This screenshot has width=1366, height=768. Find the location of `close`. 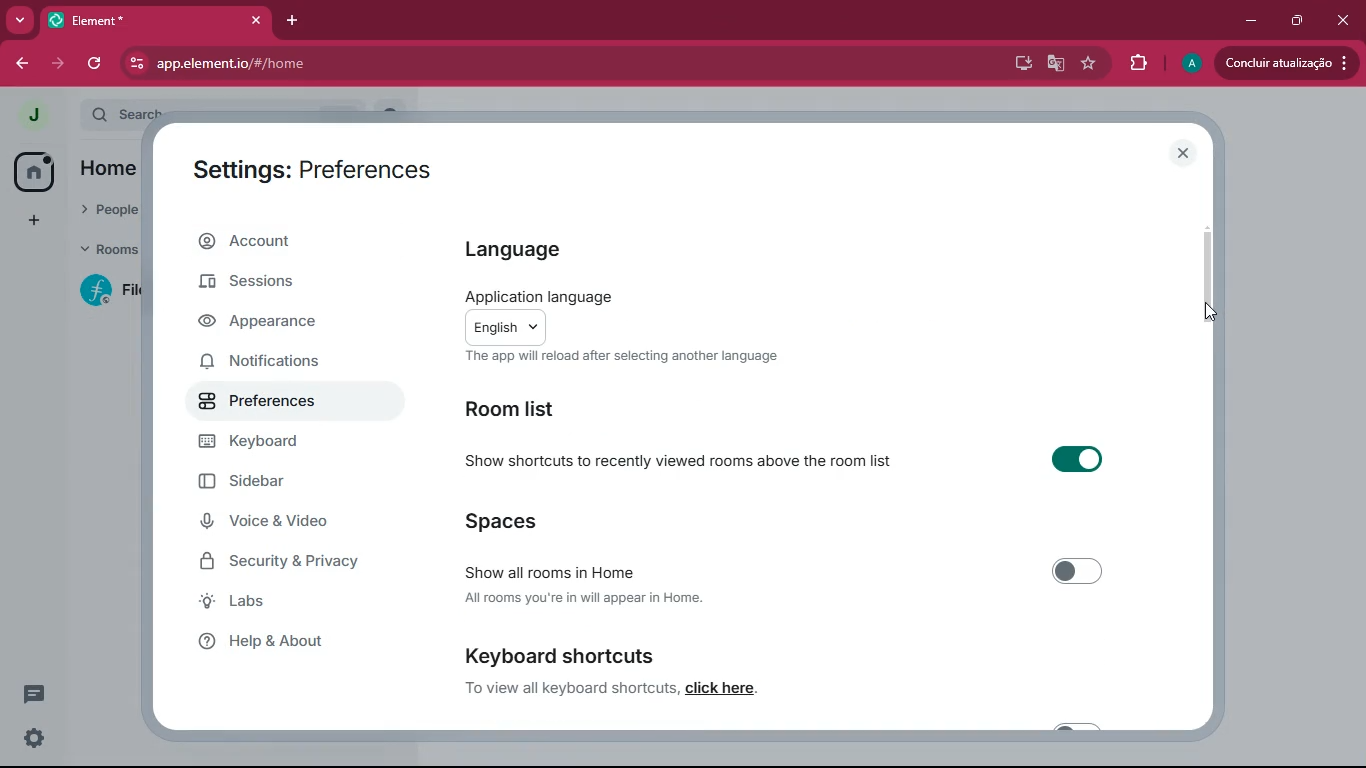

close is located at coordinates (1345, 20).